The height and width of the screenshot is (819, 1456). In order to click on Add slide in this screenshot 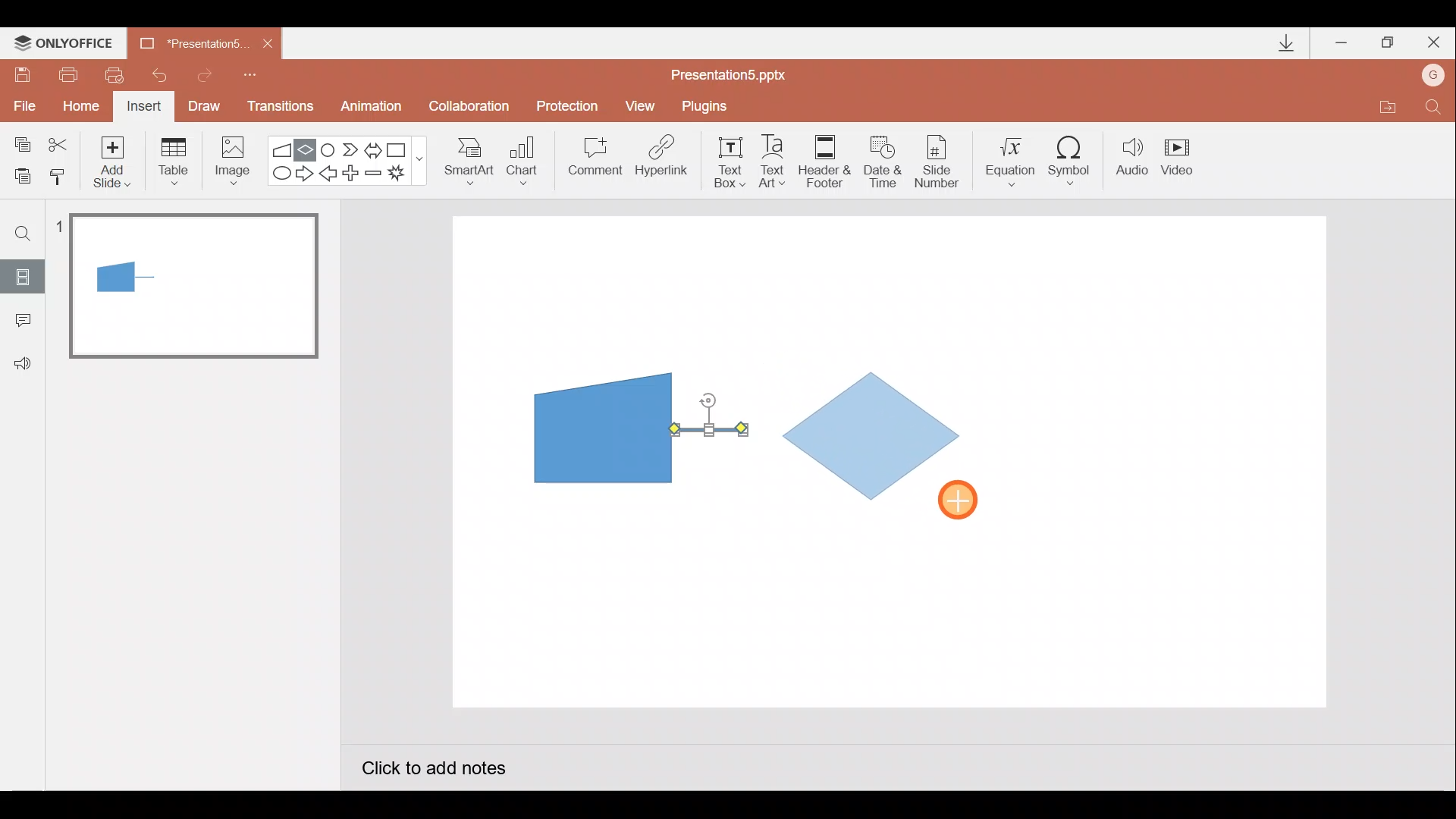, I will do `click(115, 158)`.